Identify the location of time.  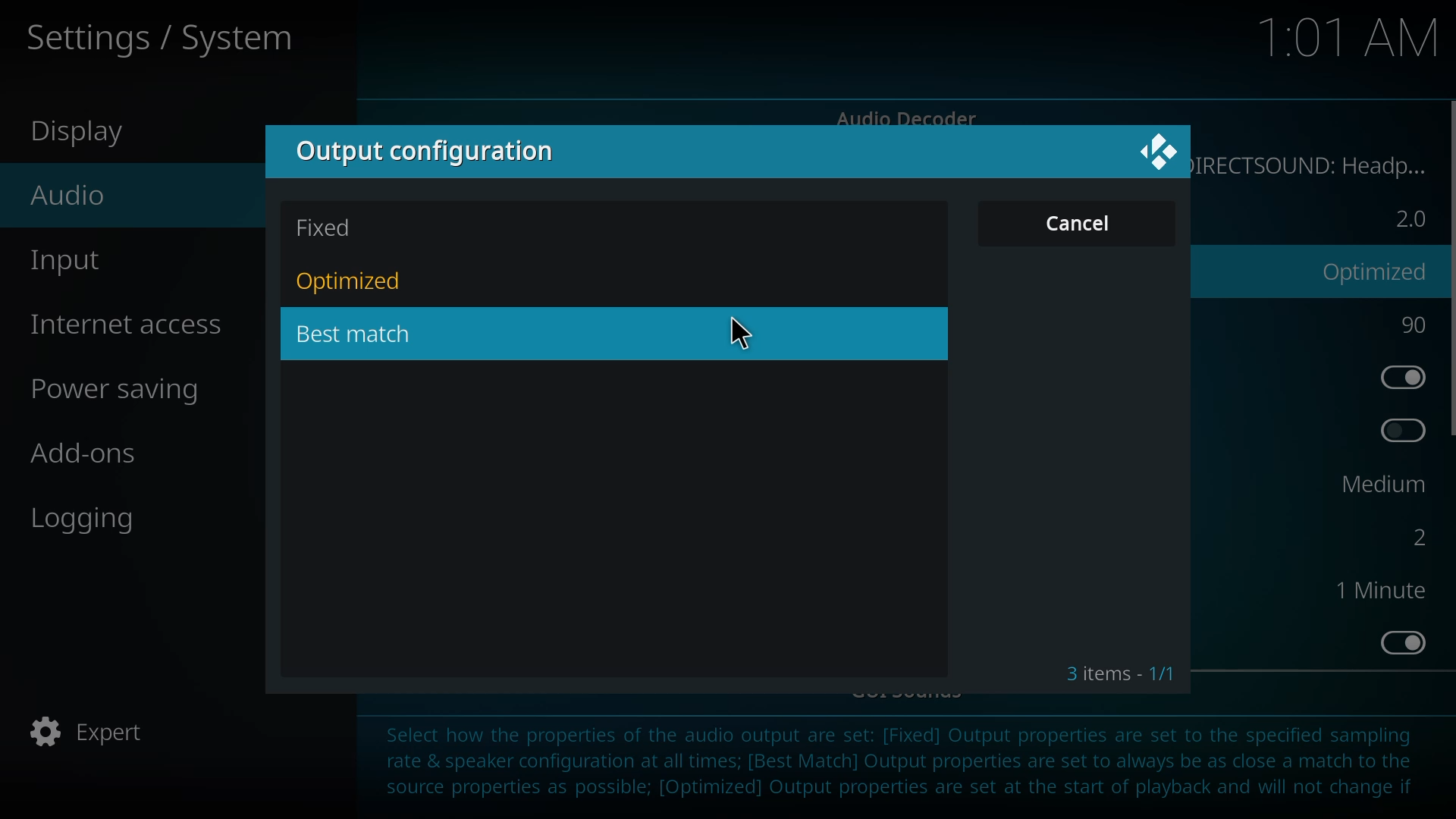
(1341, 40).